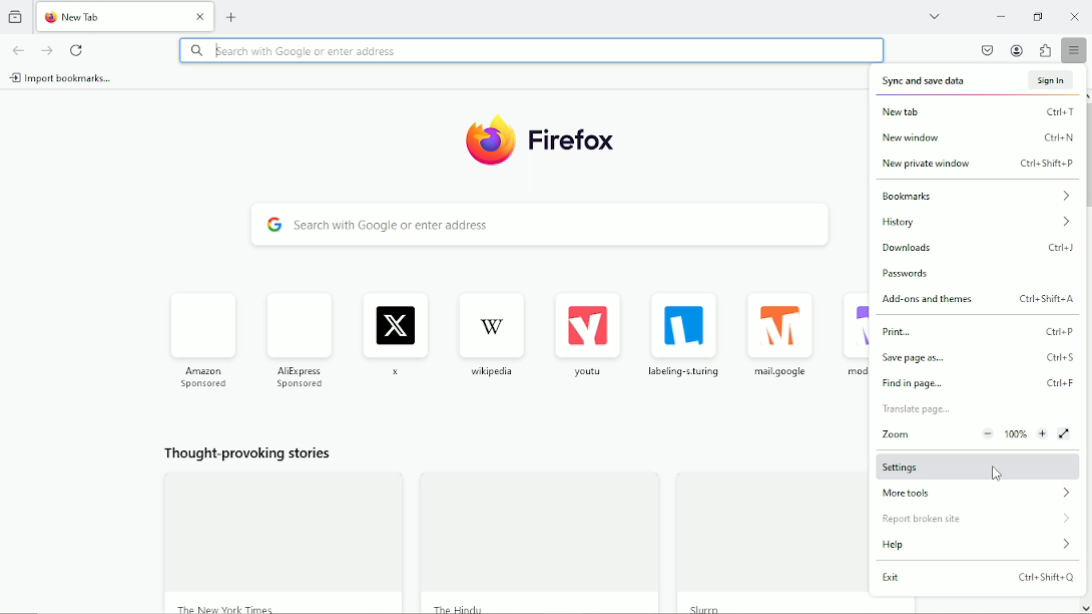 This screenshot has height=614, width=1092. I want to click on Logo, so click(545, 141).